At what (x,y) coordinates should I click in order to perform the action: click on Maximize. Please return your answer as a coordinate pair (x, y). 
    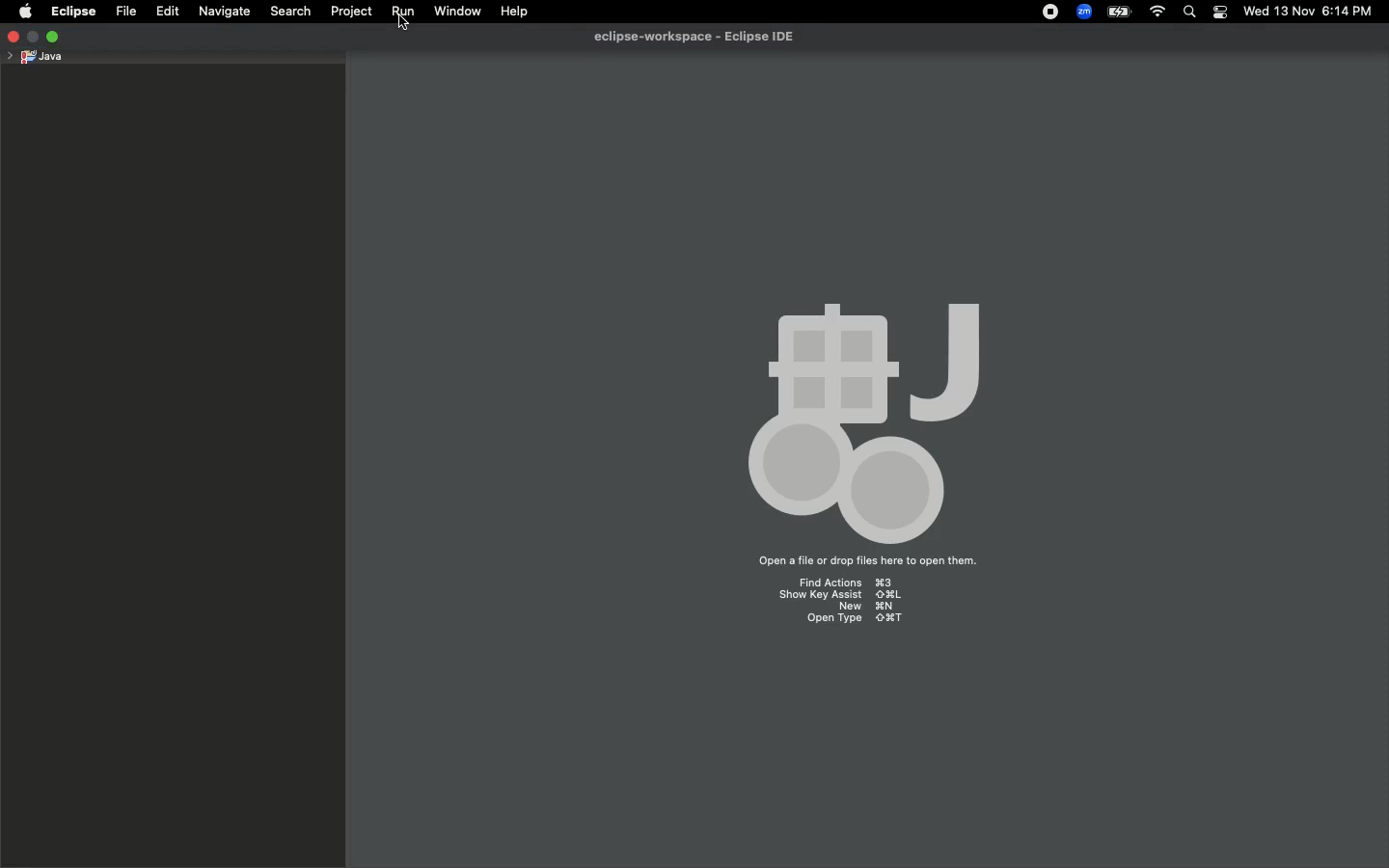
    Looking at the image, I should click on (53, 37).